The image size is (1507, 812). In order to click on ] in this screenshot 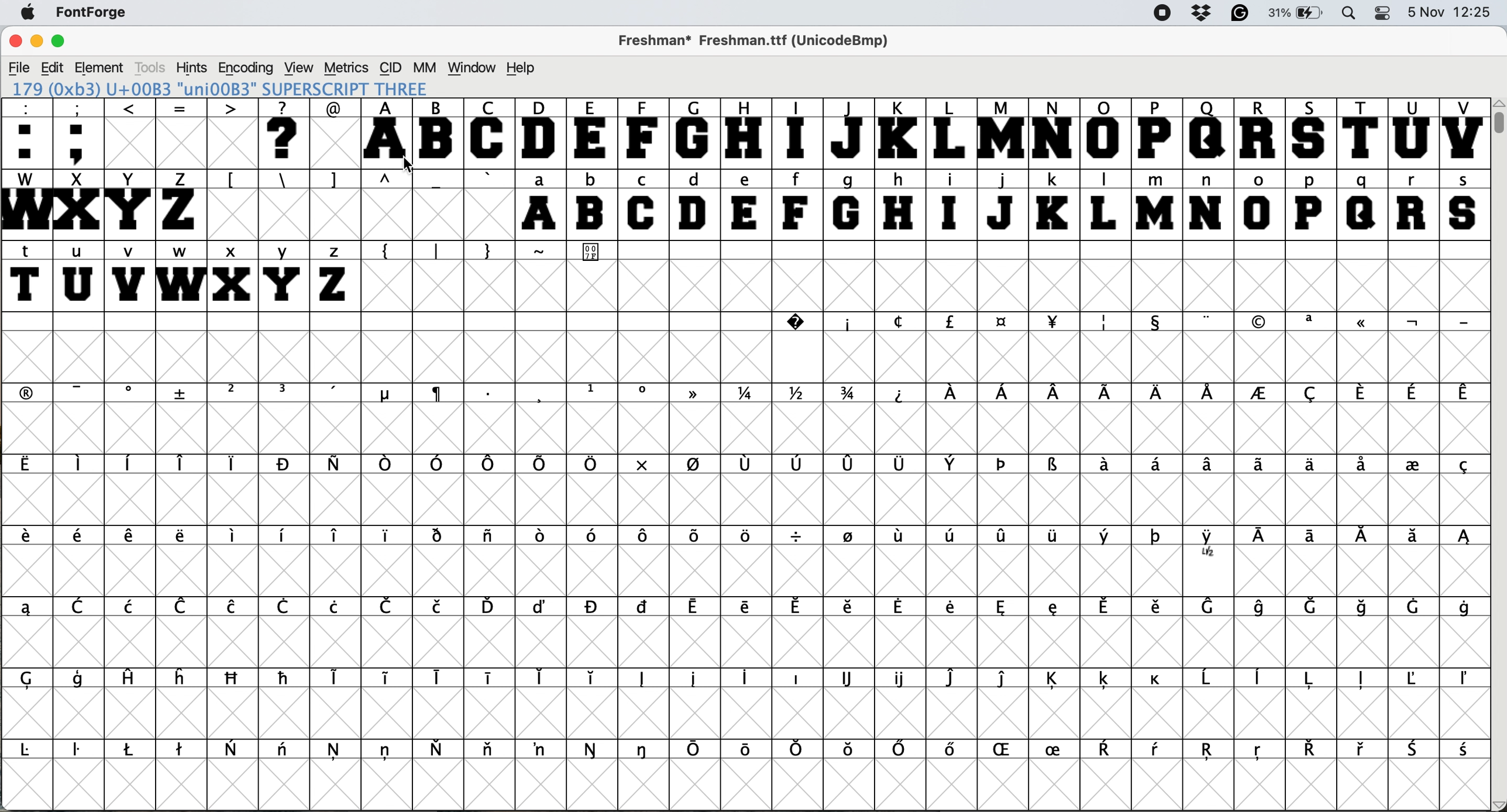, I will do `click(339, 180)`.